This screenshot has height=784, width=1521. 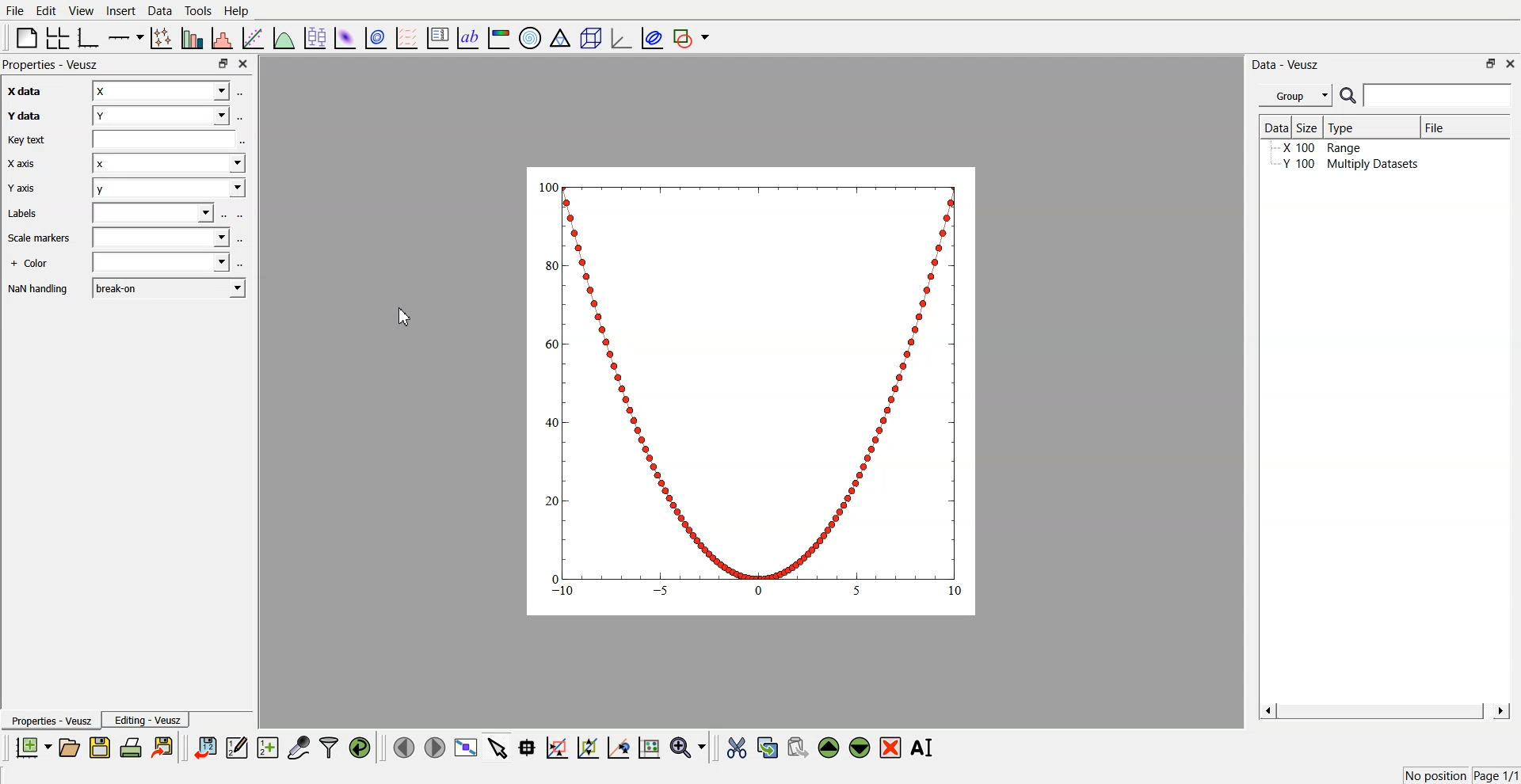 What do you see at coordinates (299, 748) in the screenshot?
I see `capture data points` at bounding box center [299, 748].